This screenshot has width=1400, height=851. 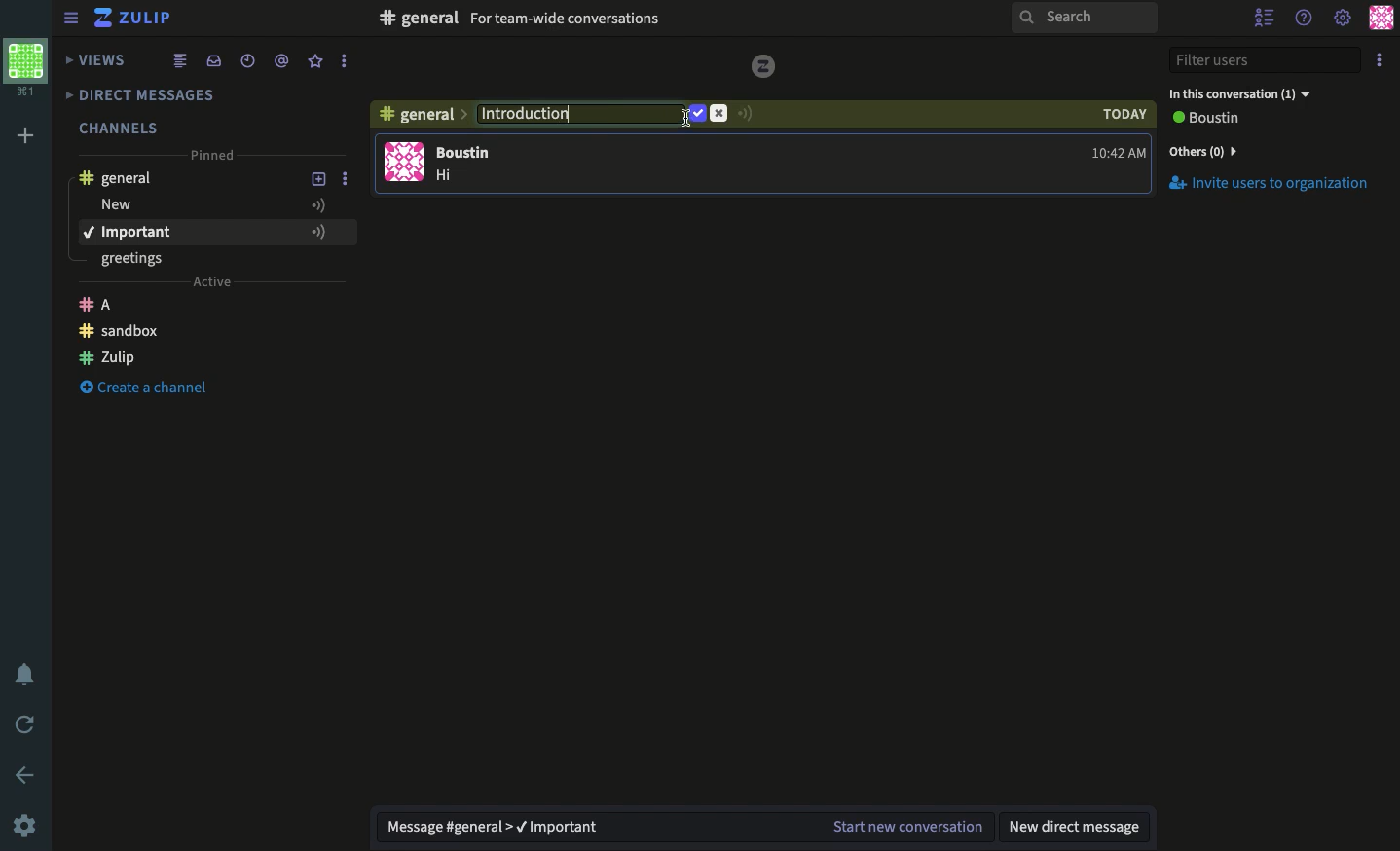 What do you see at coordinates (614, 20) in the screenshot?
I see `Inbox` at bounding box center [614, 20].